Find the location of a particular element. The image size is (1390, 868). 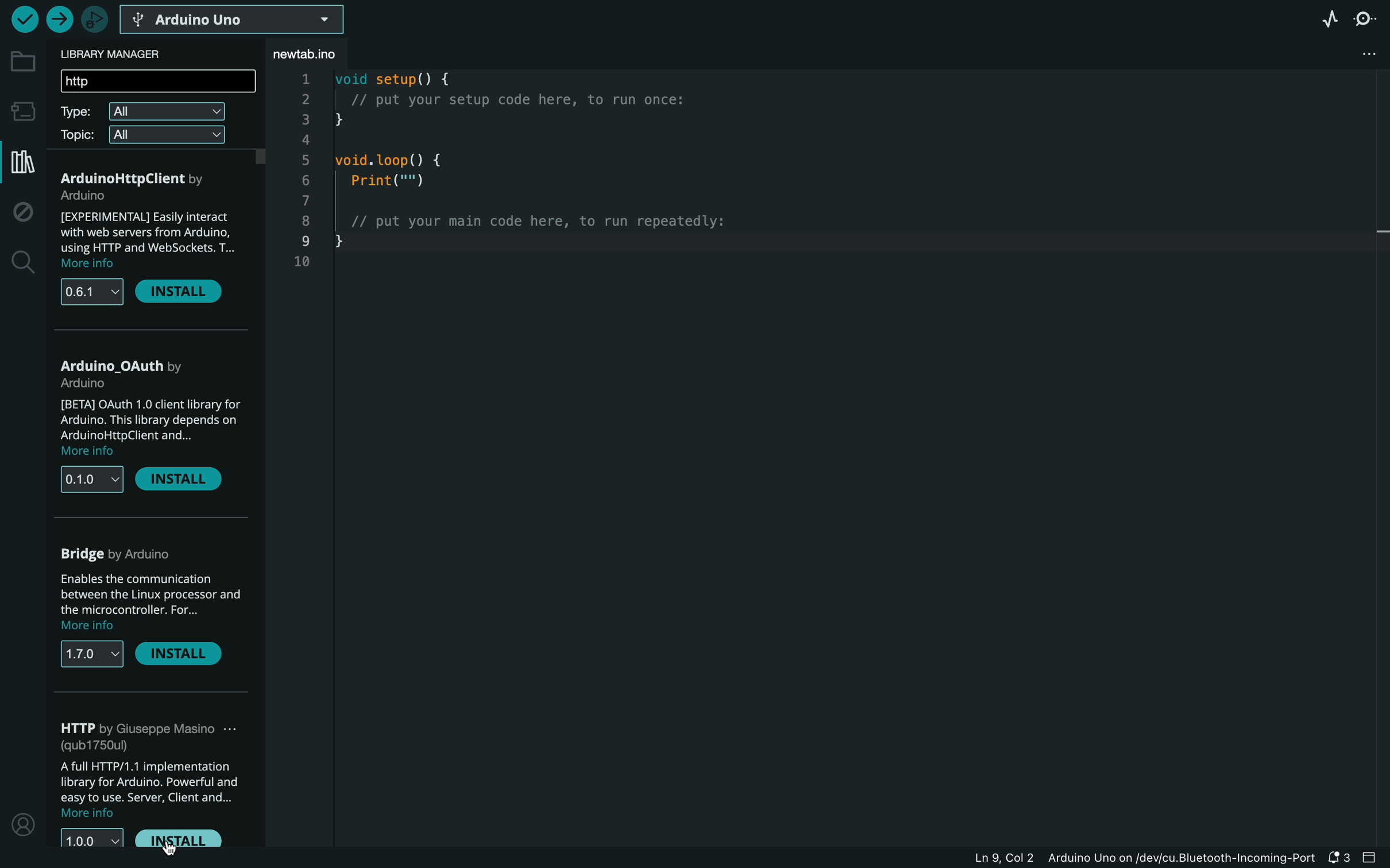

install is located at coordinates (186, 292).